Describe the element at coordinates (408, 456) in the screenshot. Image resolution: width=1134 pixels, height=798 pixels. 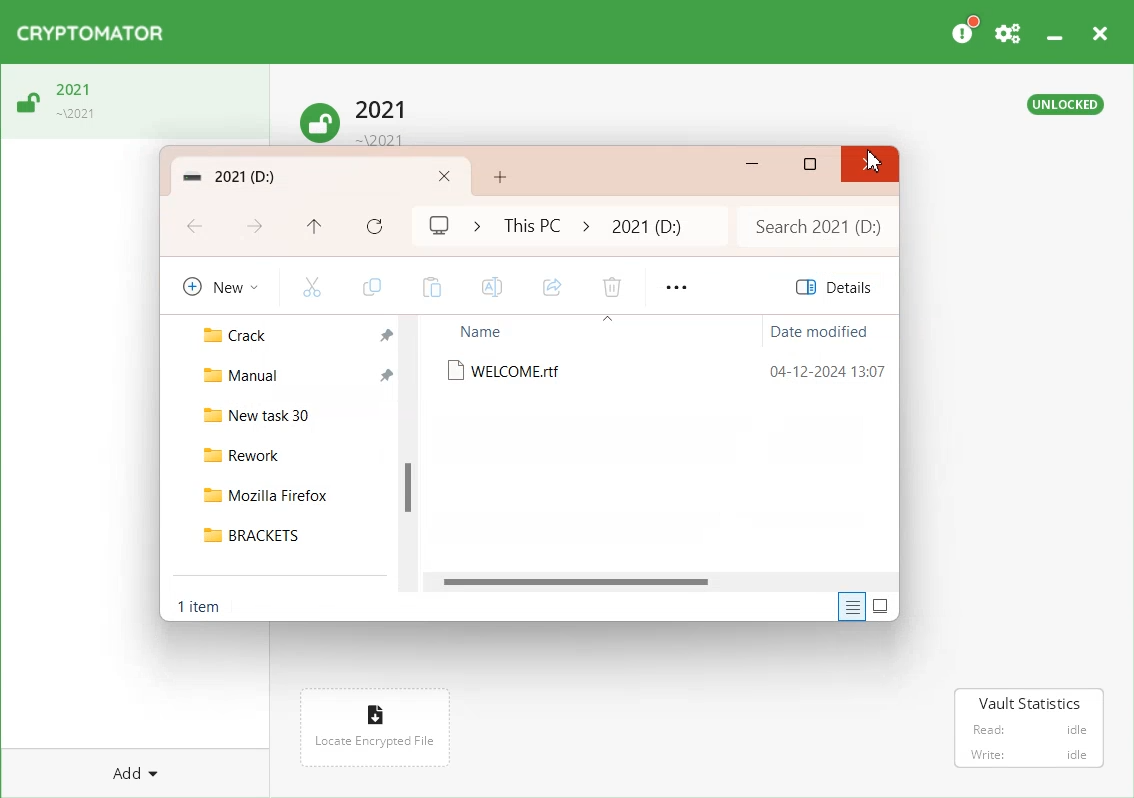
I see `Vertical Scroll Bar` at that location.